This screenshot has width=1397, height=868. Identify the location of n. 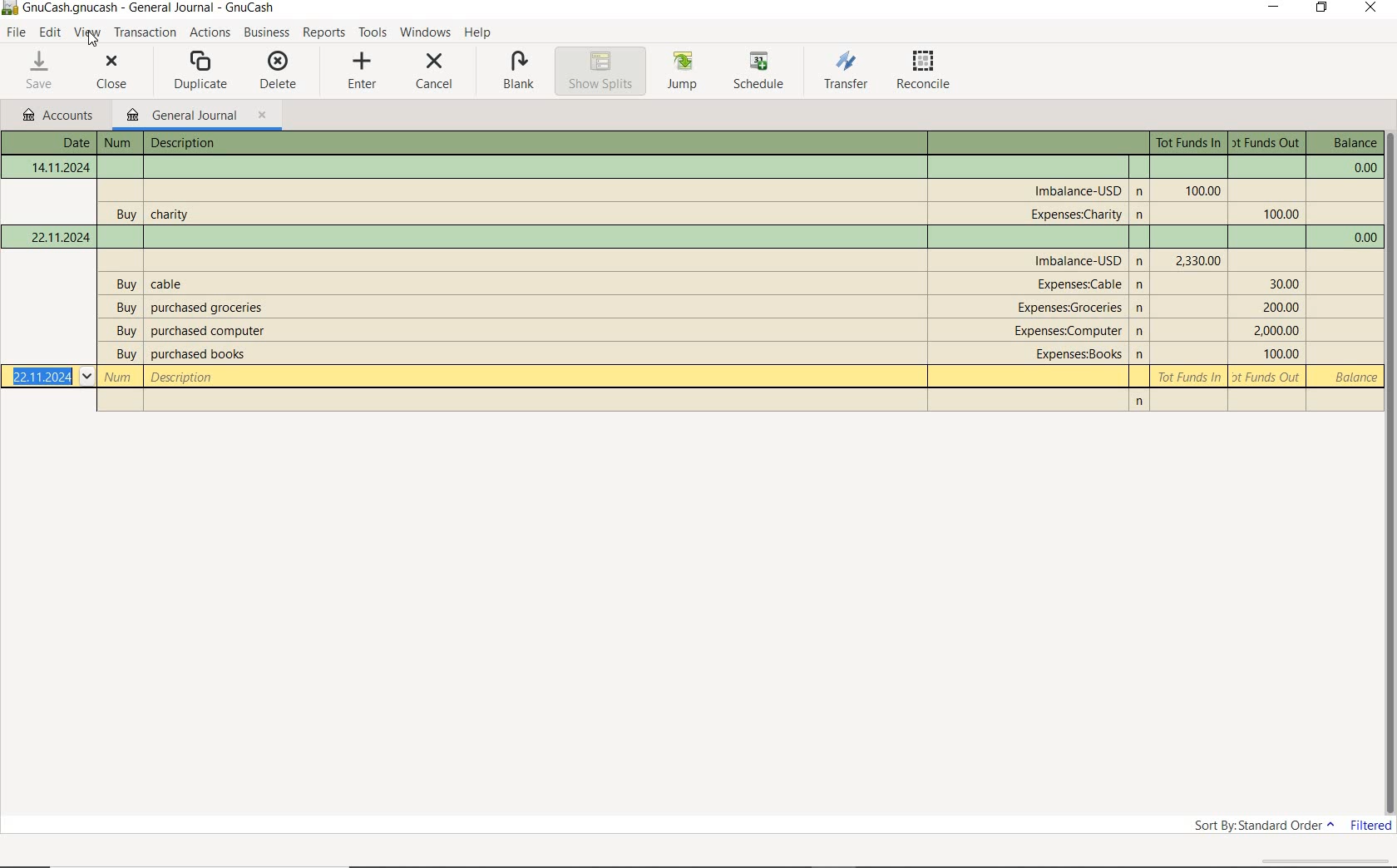
(1142, 353).